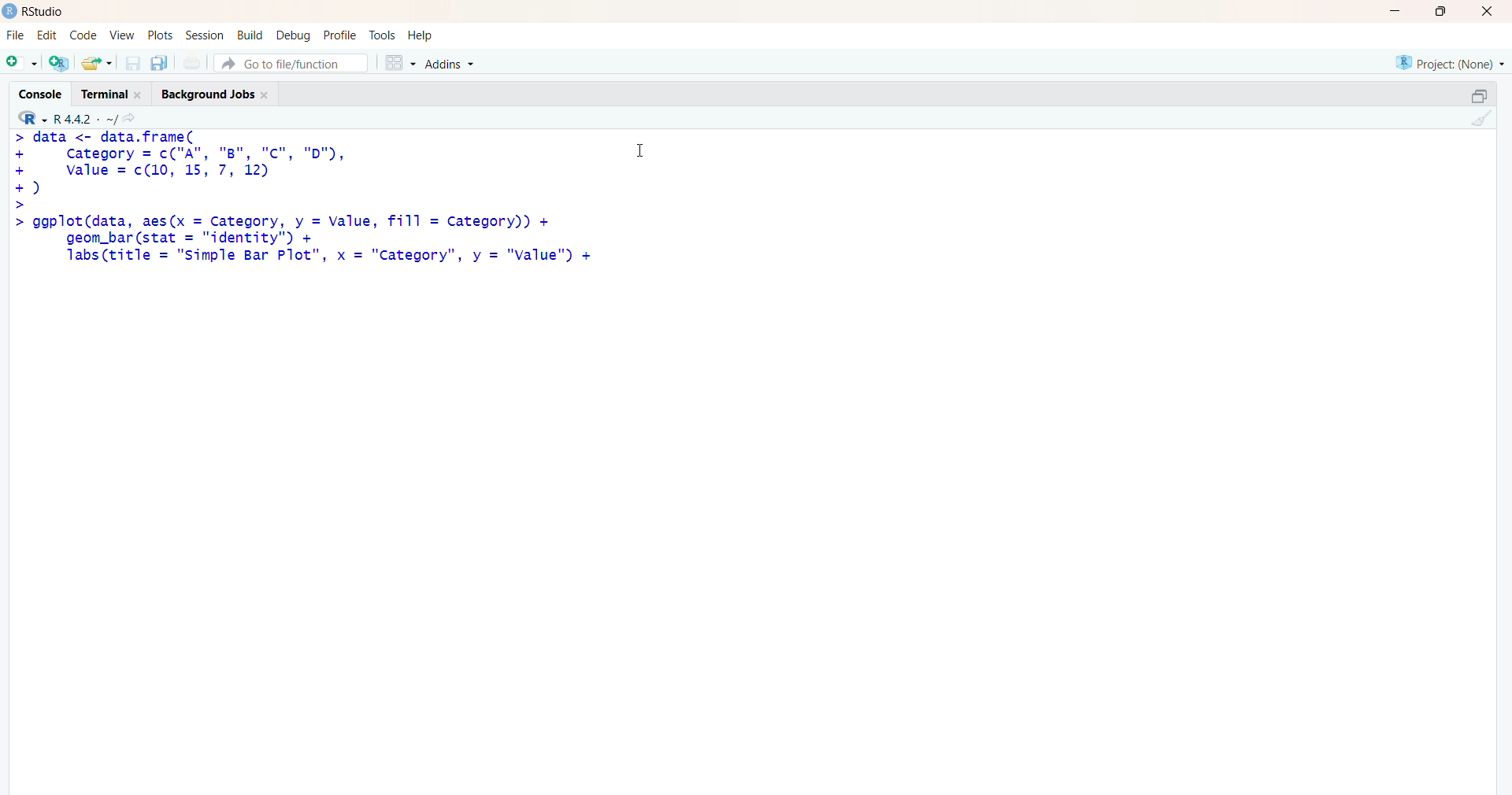  What do you see at coordinates (1452, 62) in the screenshot?
I see `selected project - none` at bounding box center [1452, 62].